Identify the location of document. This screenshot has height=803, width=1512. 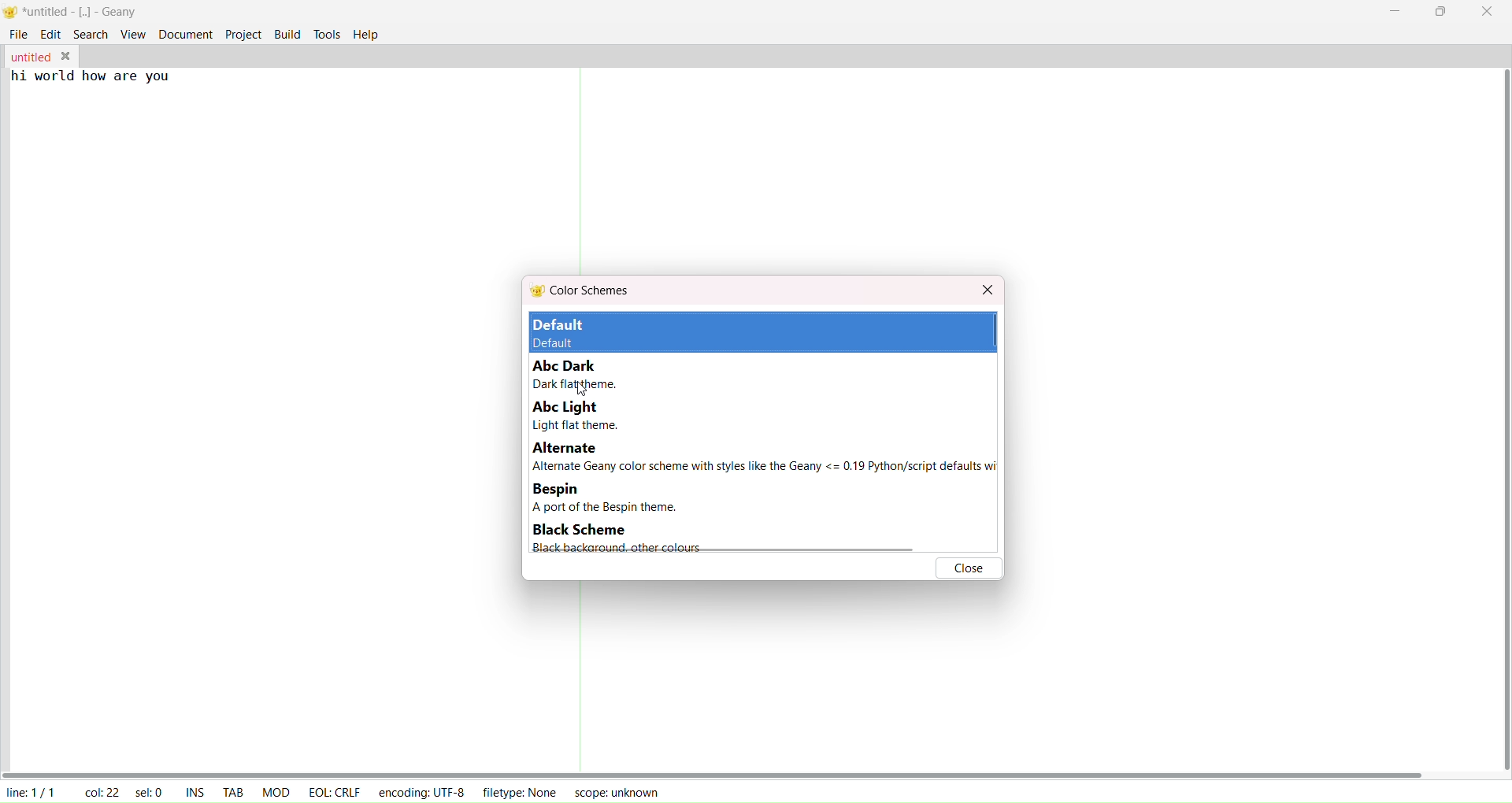
(185, 32).